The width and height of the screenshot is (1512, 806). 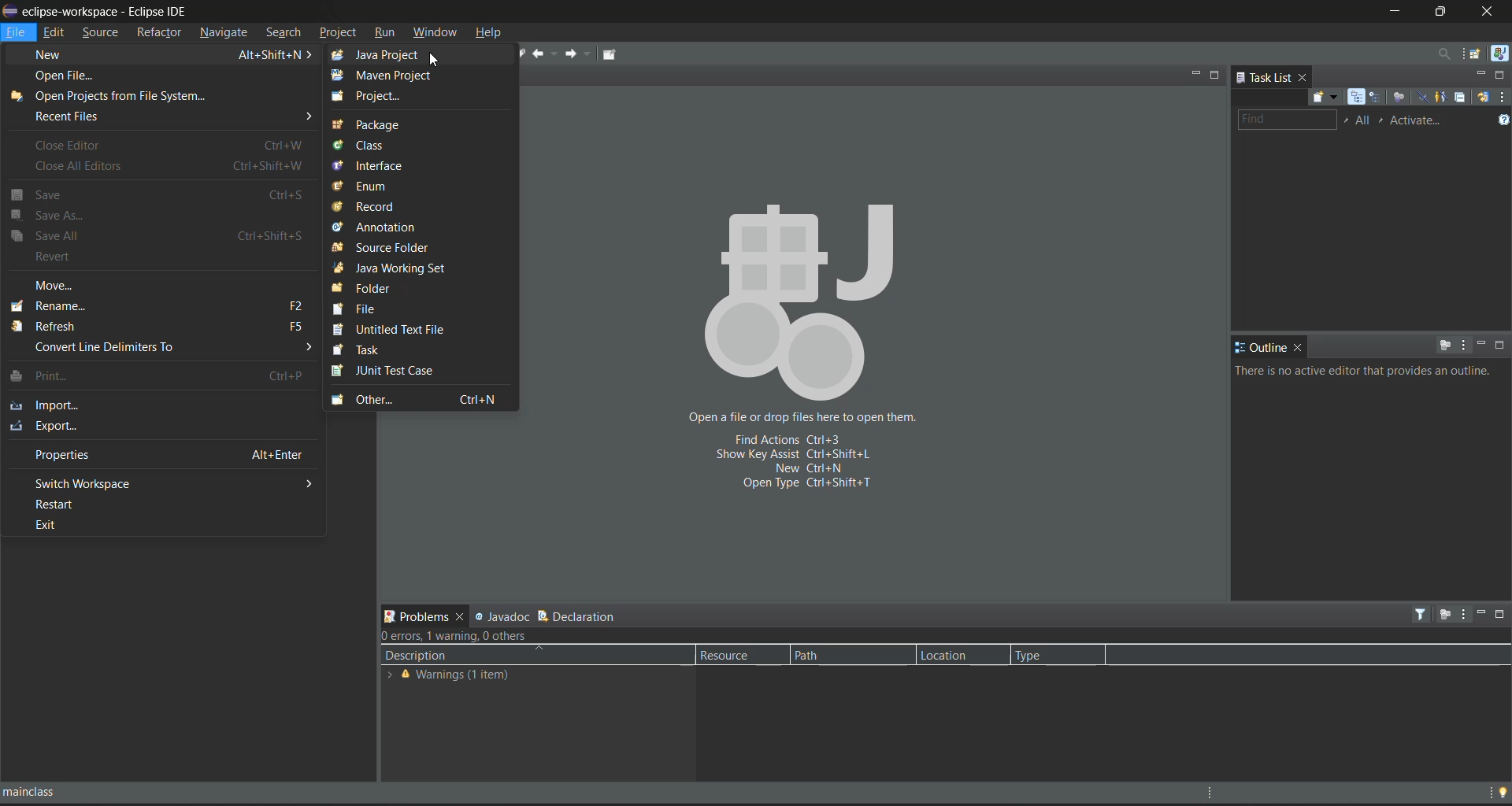 I want to click on file, so click(x=365, y=309).